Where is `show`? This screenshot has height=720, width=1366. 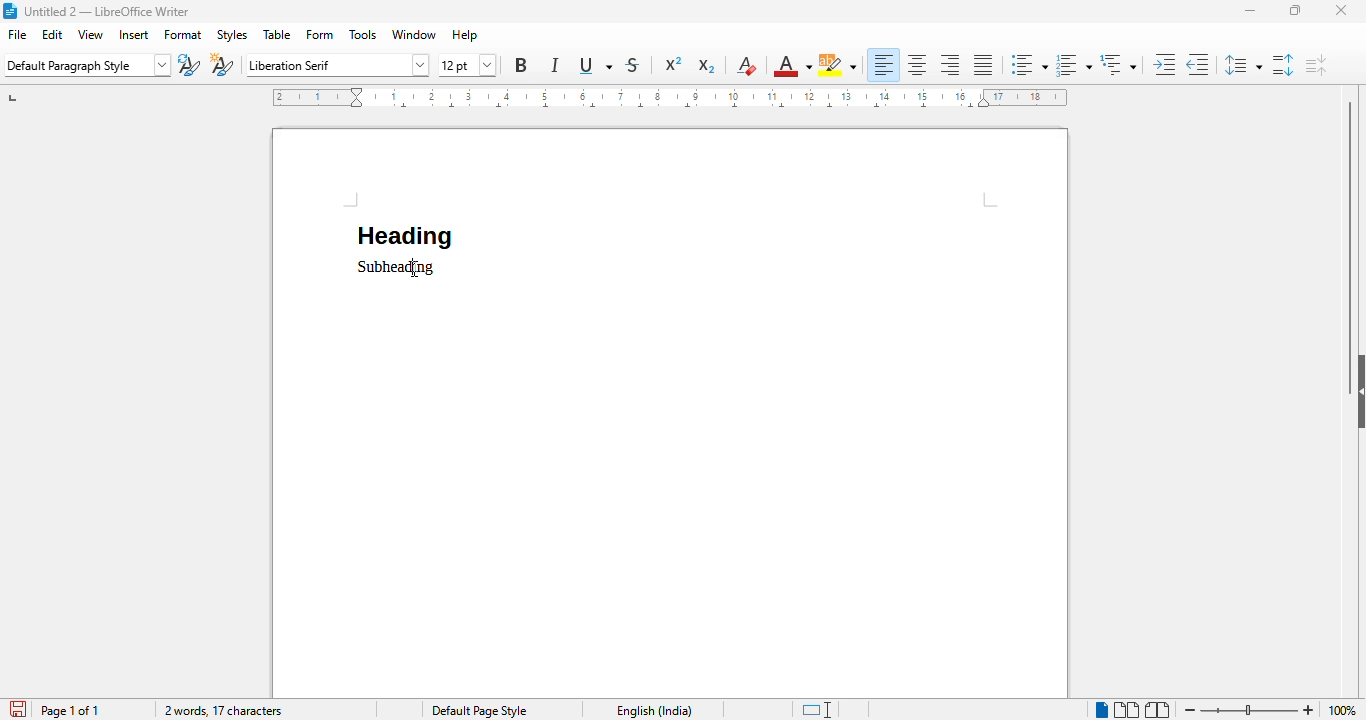
show is located at coordinates (1357, 391).